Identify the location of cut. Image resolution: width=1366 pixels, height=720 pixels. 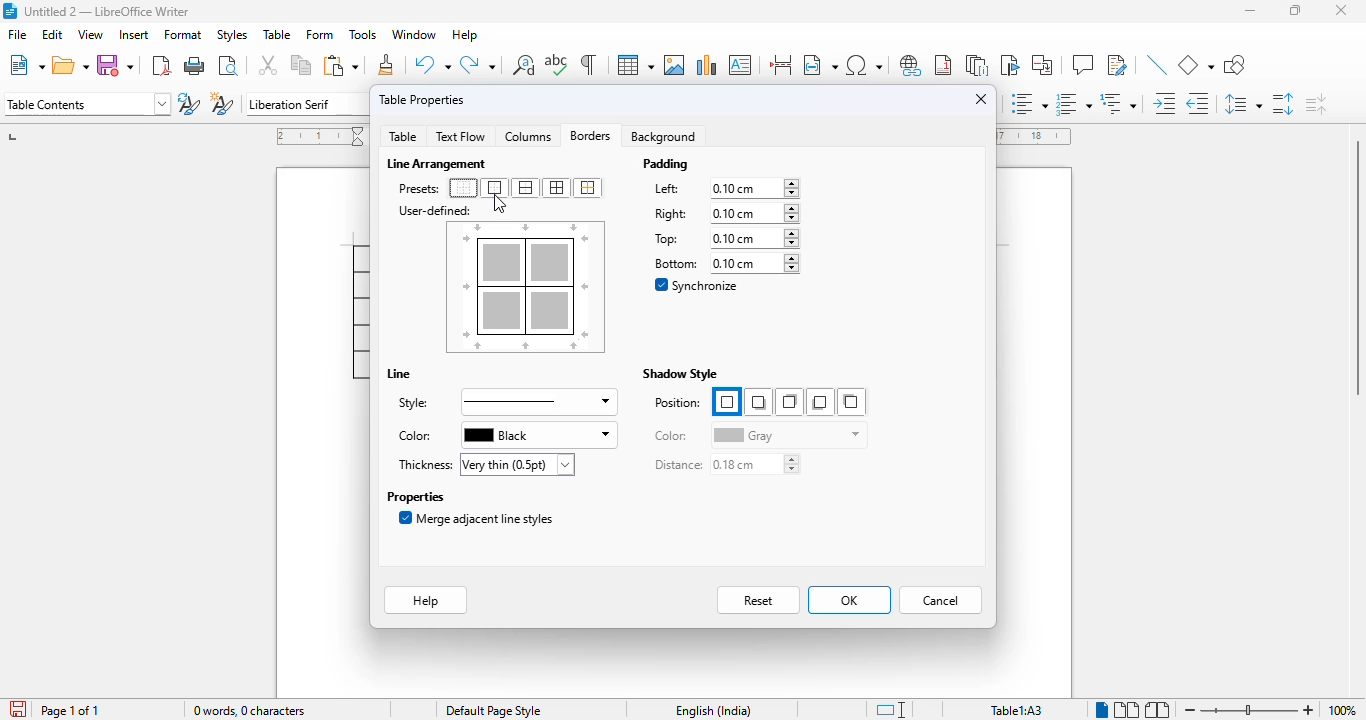
(269, 65).